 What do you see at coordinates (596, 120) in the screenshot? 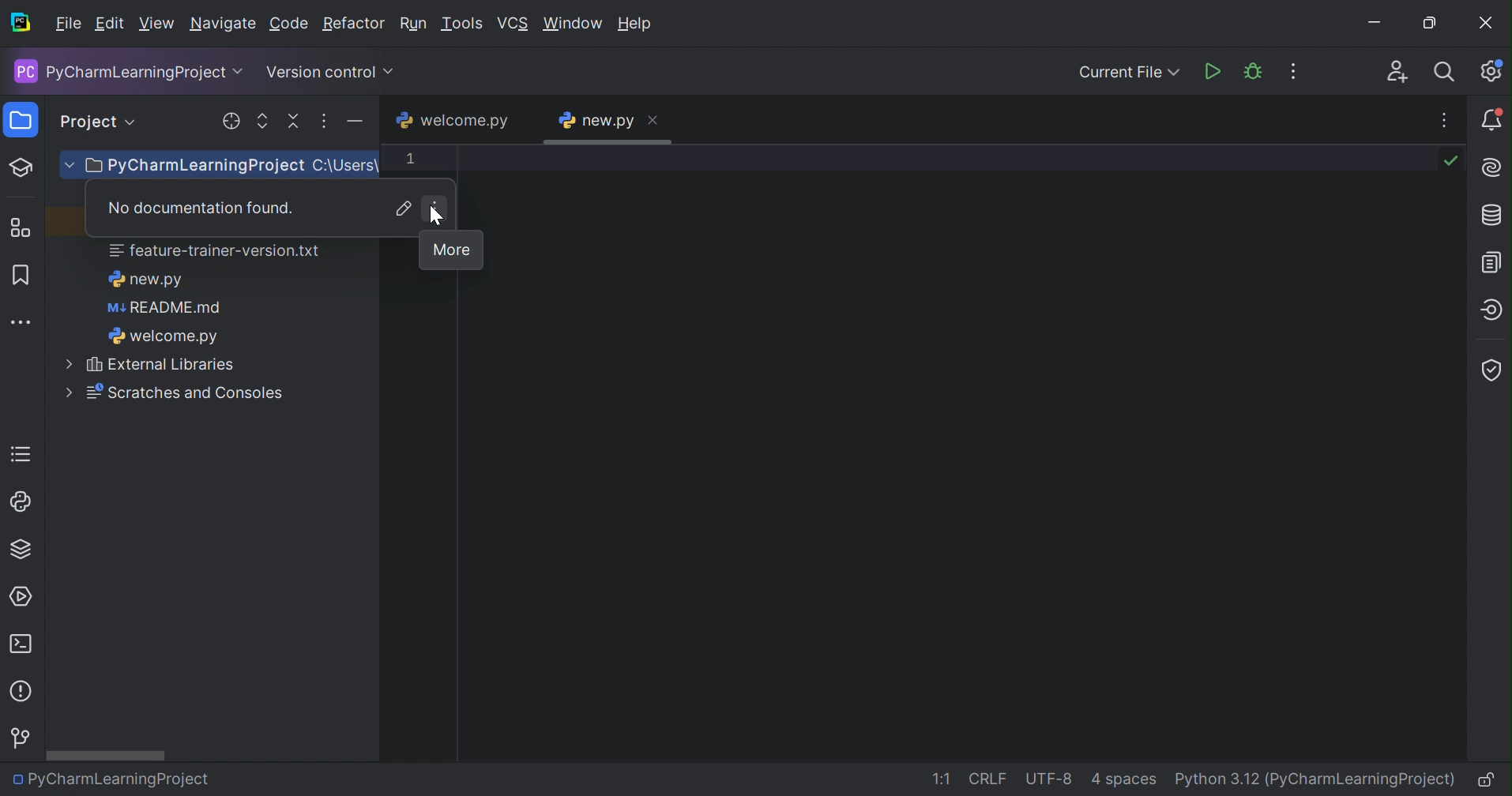
I see `new.py` at bounding box center [596, 120].